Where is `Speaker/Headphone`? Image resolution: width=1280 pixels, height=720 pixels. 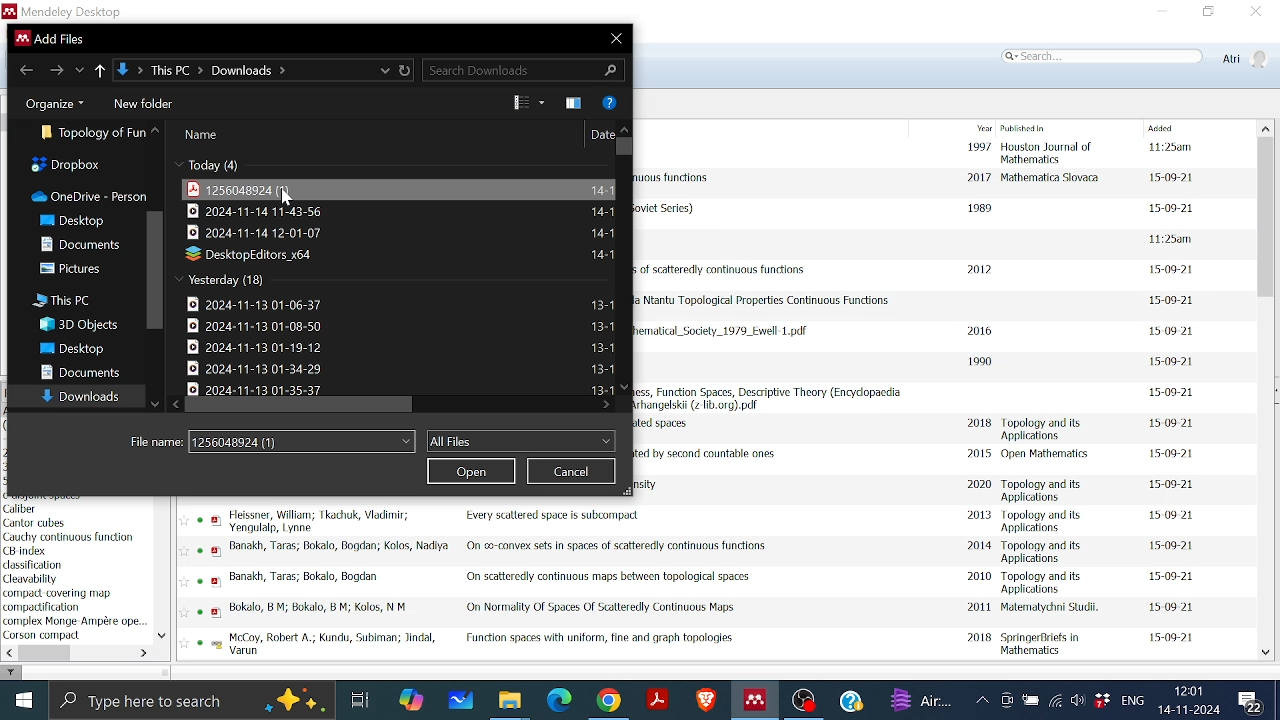
Speaker/Headphone is located at coordinates (1078, 699).